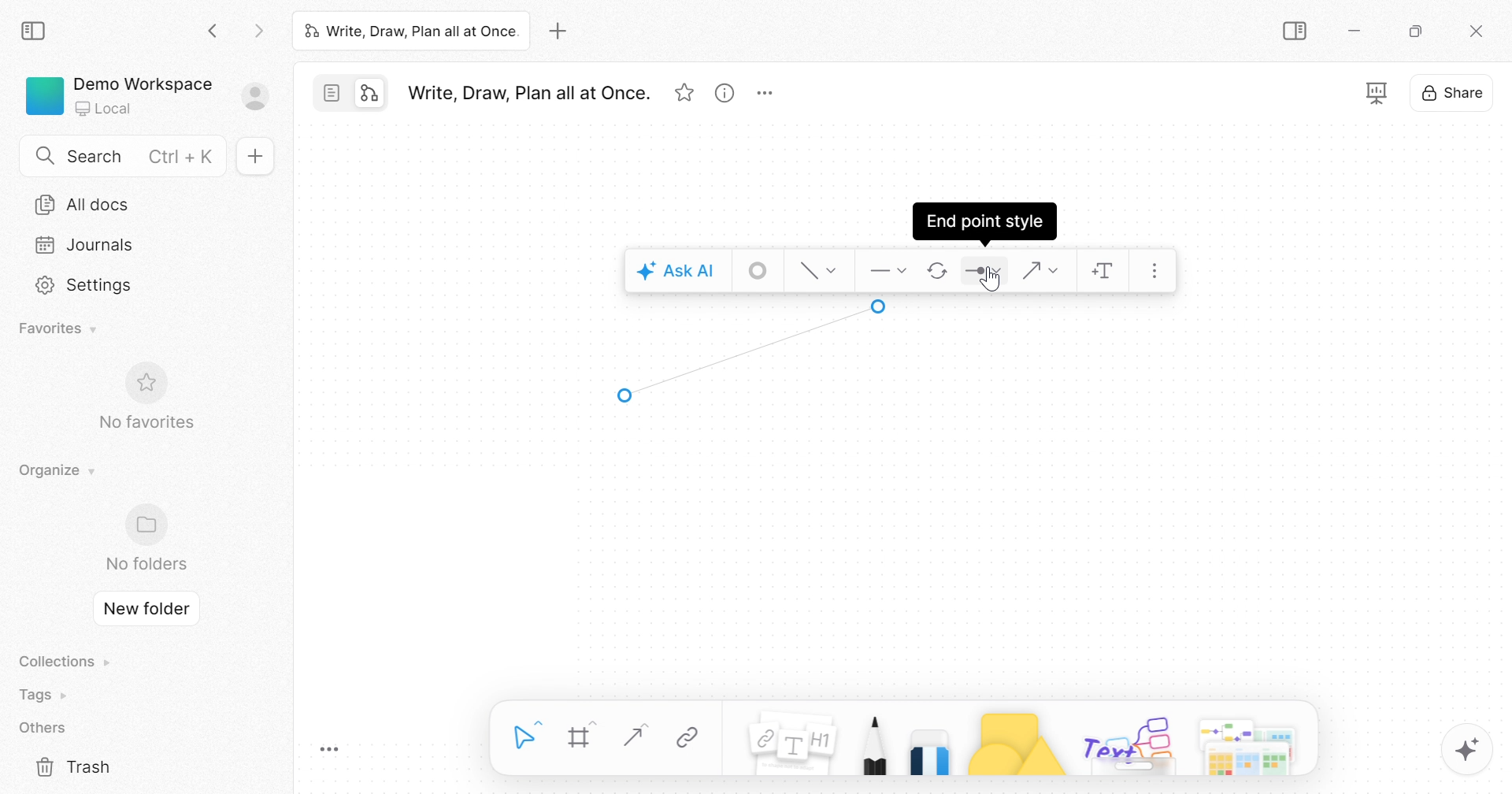 This screenshot has width=1512, height=794. What do you see at coordinates (750, 351) in the screenshot?
I see `Arrow` at bounding box center [750, 351].